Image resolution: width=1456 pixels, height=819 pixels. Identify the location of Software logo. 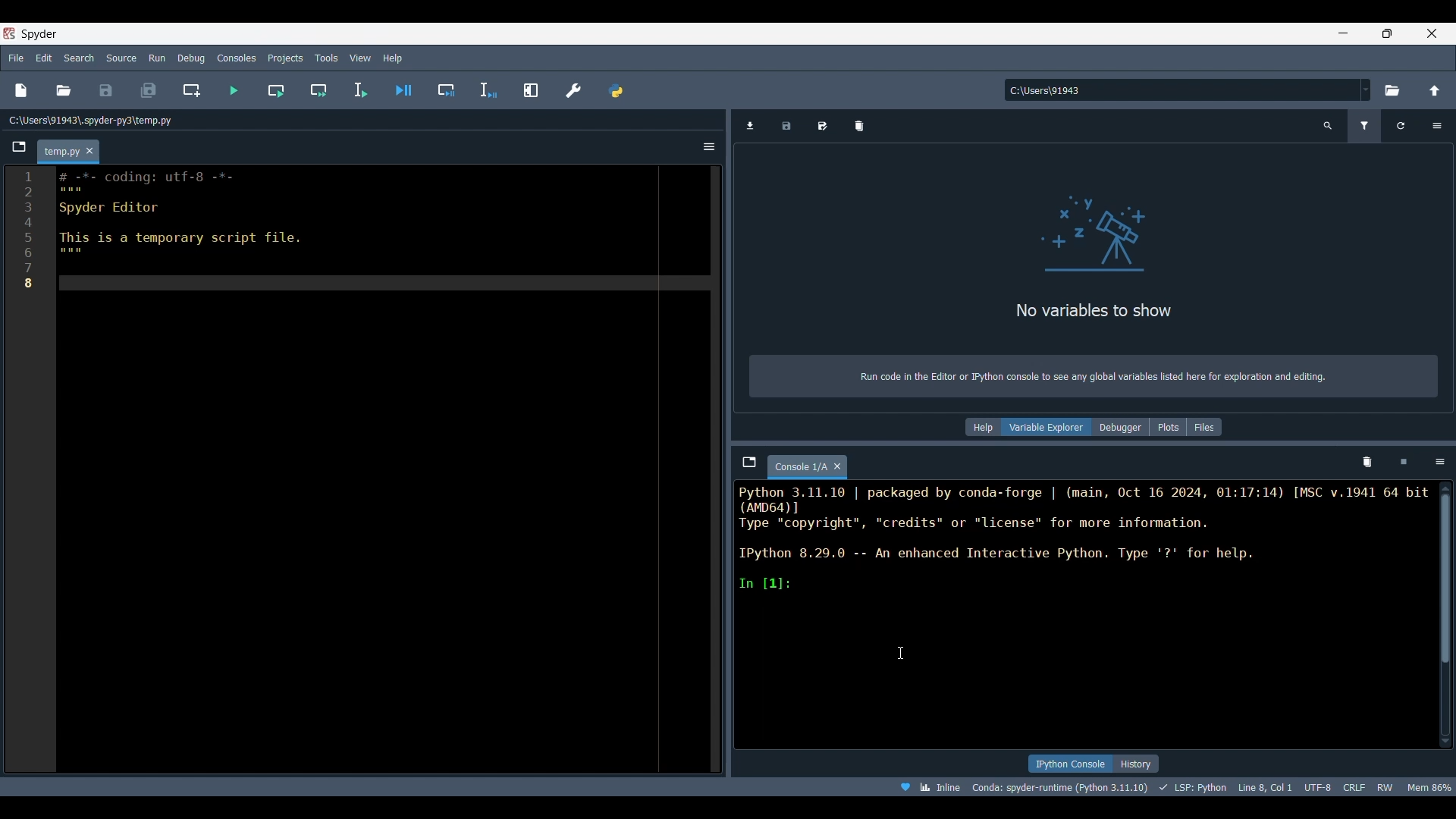
(9, 33).